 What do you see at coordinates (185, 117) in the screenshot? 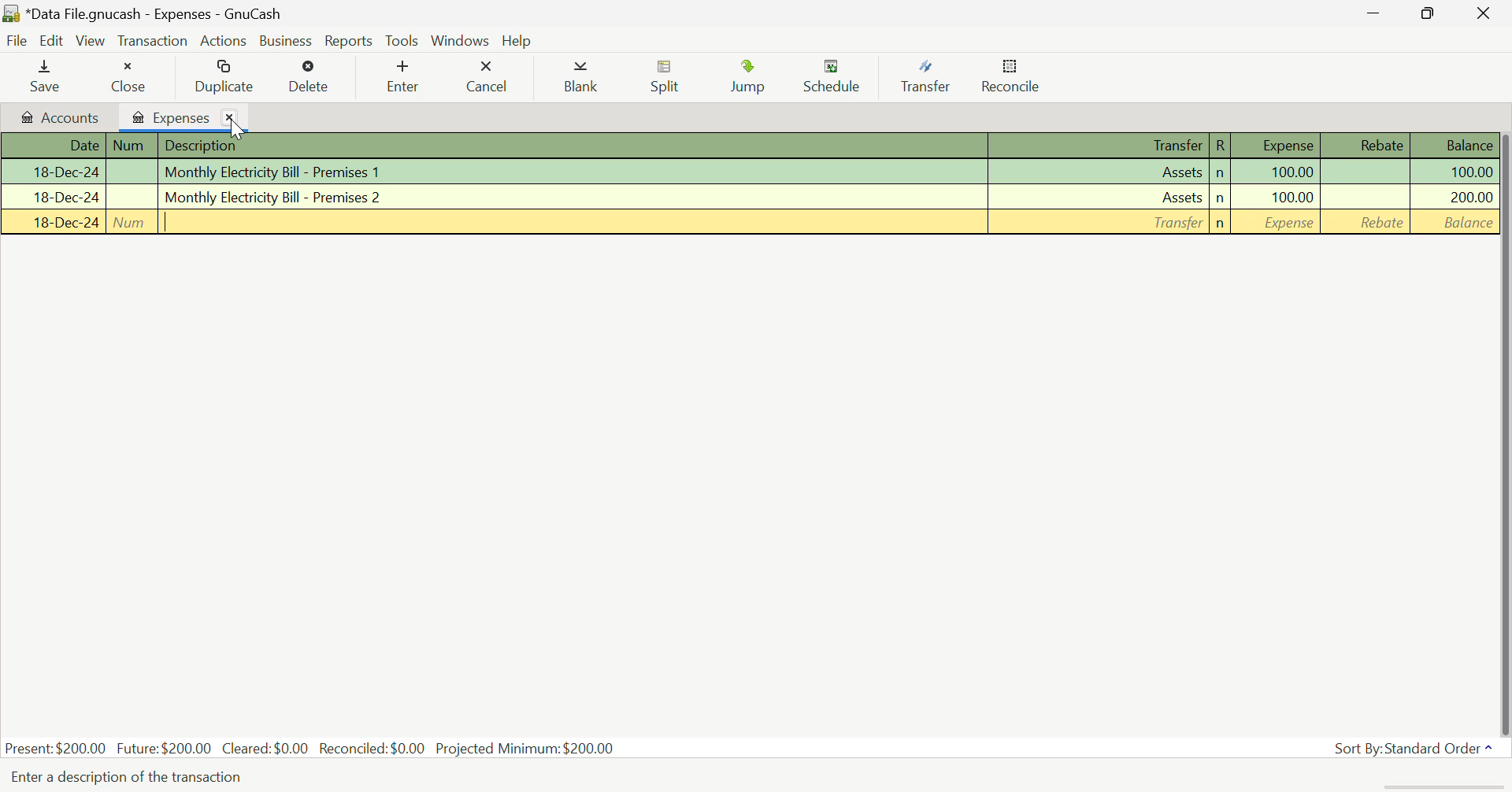
I see `Expenses` at bounding box center [185, 117].